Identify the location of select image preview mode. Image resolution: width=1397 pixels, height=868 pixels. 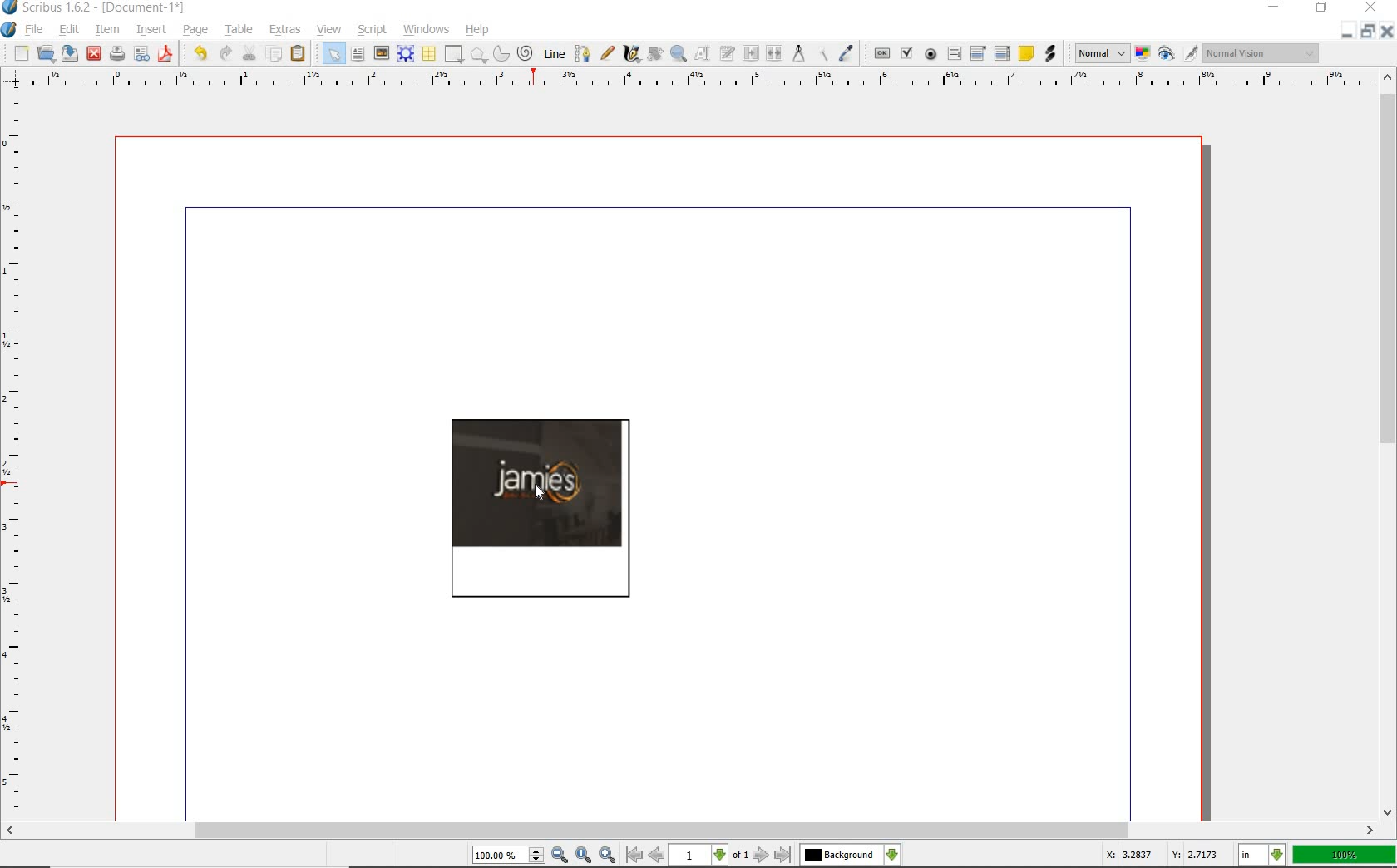
(1101, 55).